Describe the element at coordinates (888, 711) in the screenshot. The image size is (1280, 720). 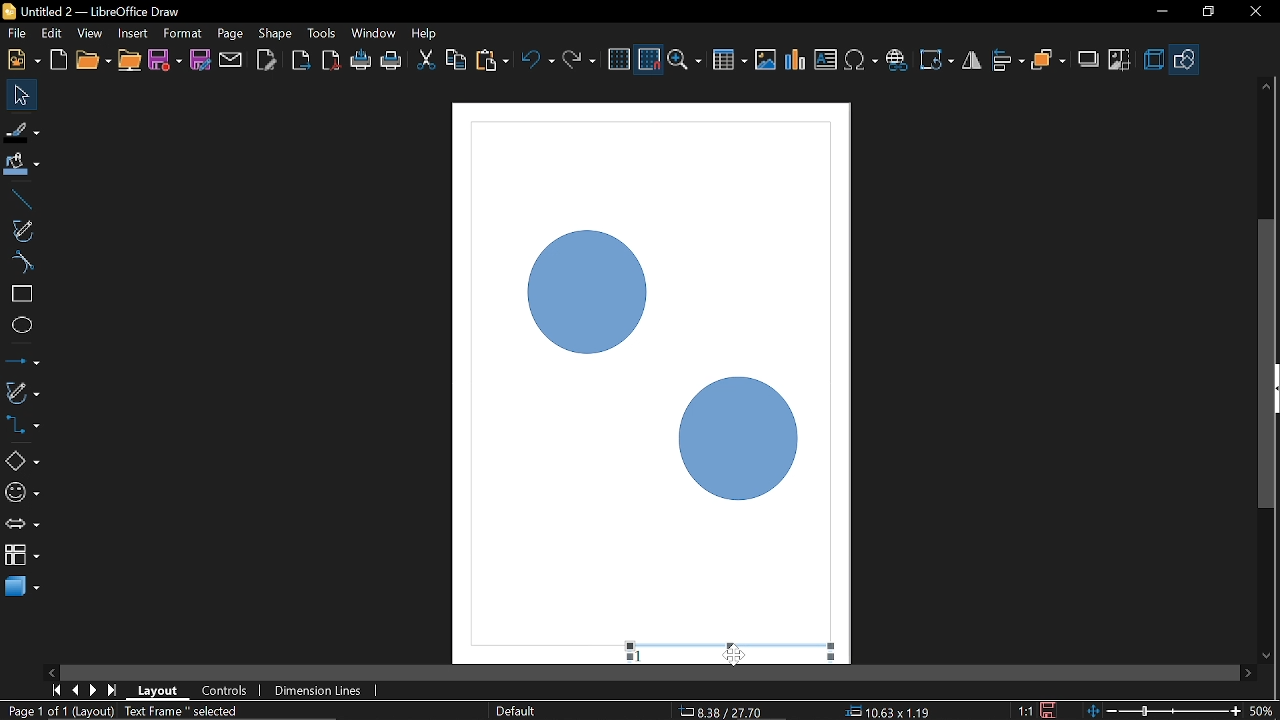
I see `co-ordinate` at that location.